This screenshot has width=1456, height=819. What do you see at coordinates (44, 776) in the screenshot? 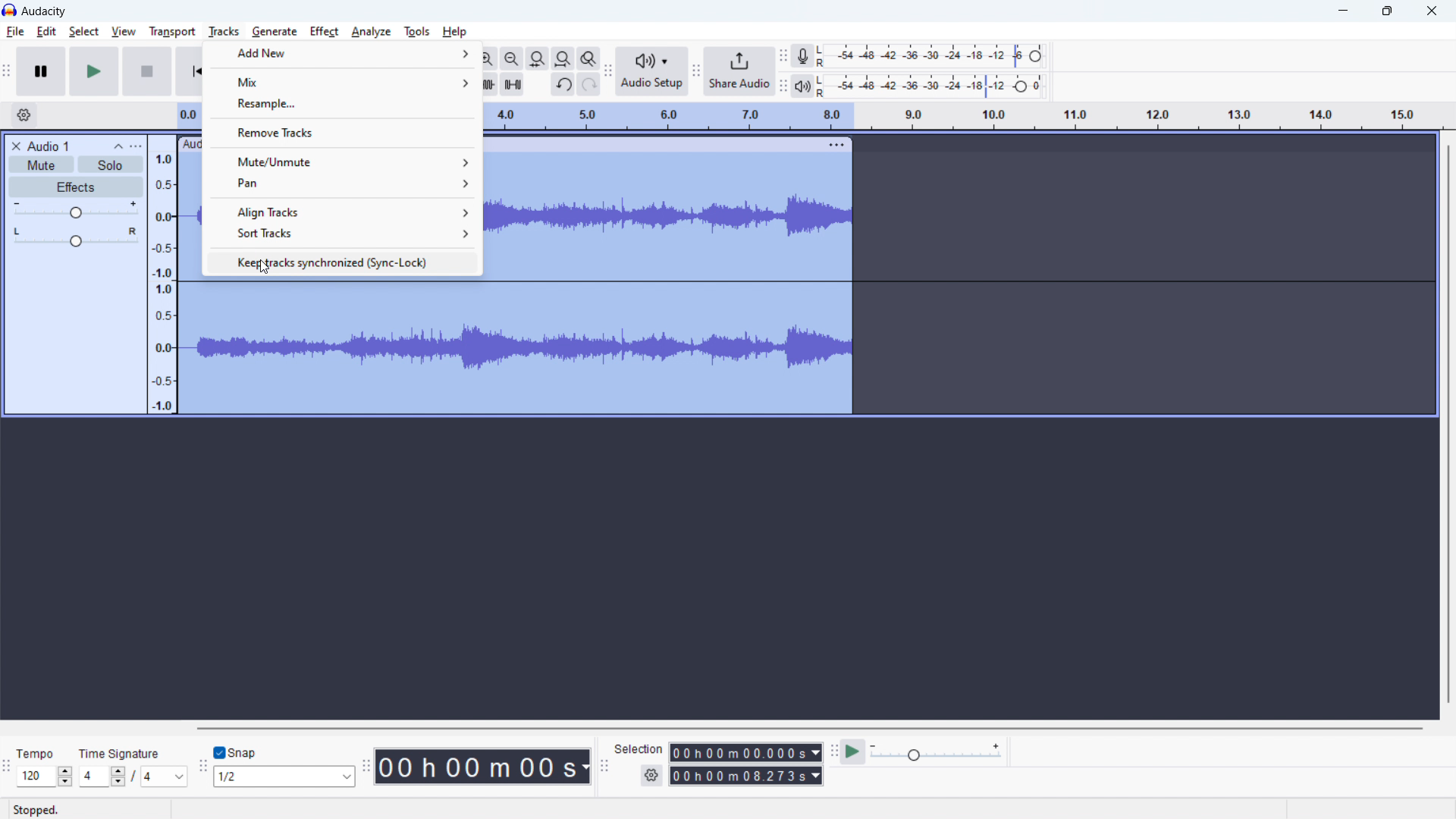
I see `tempo` at bounding box center [44, 776].